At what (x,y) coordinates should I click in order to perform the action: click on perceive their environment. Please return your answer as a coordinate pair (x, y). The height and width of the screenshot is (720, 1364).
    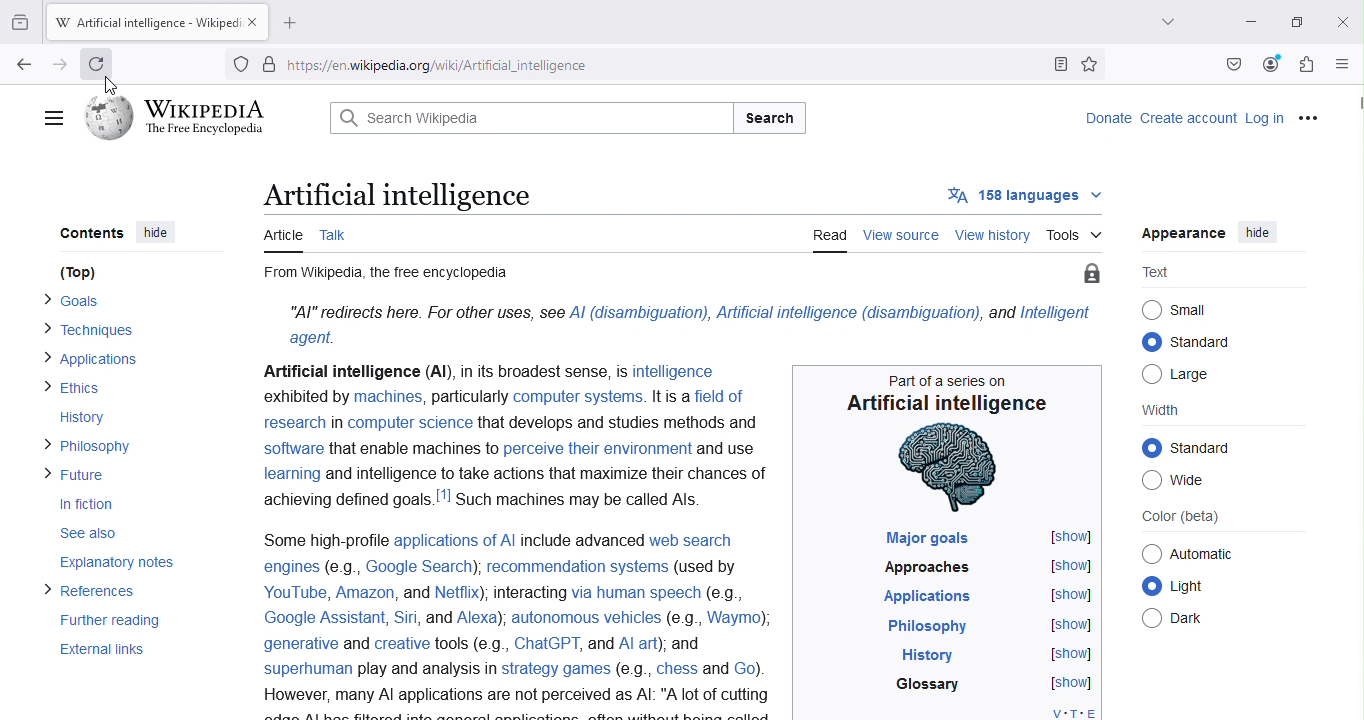
    Looking at the image, I should click on (599, 449).